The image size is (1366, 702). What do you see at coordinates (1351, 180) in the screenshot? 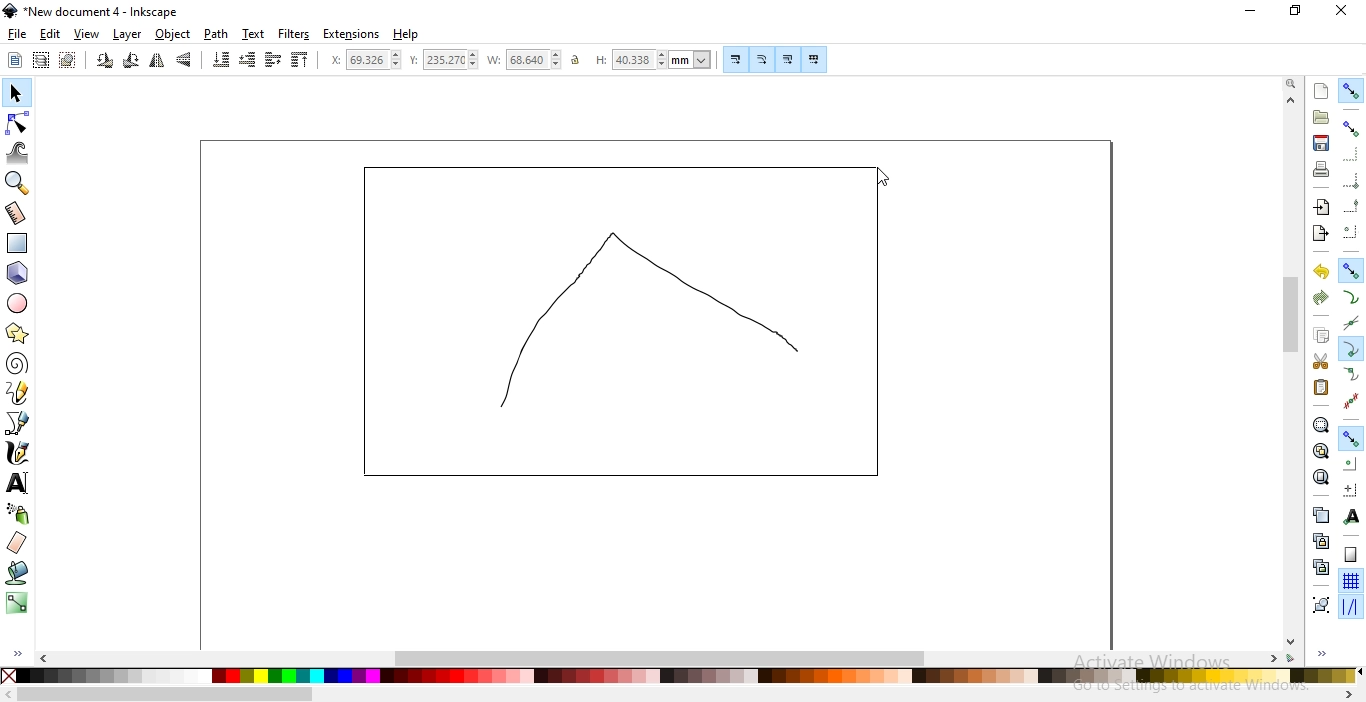
I see `` at bounding box center [1351, 180].